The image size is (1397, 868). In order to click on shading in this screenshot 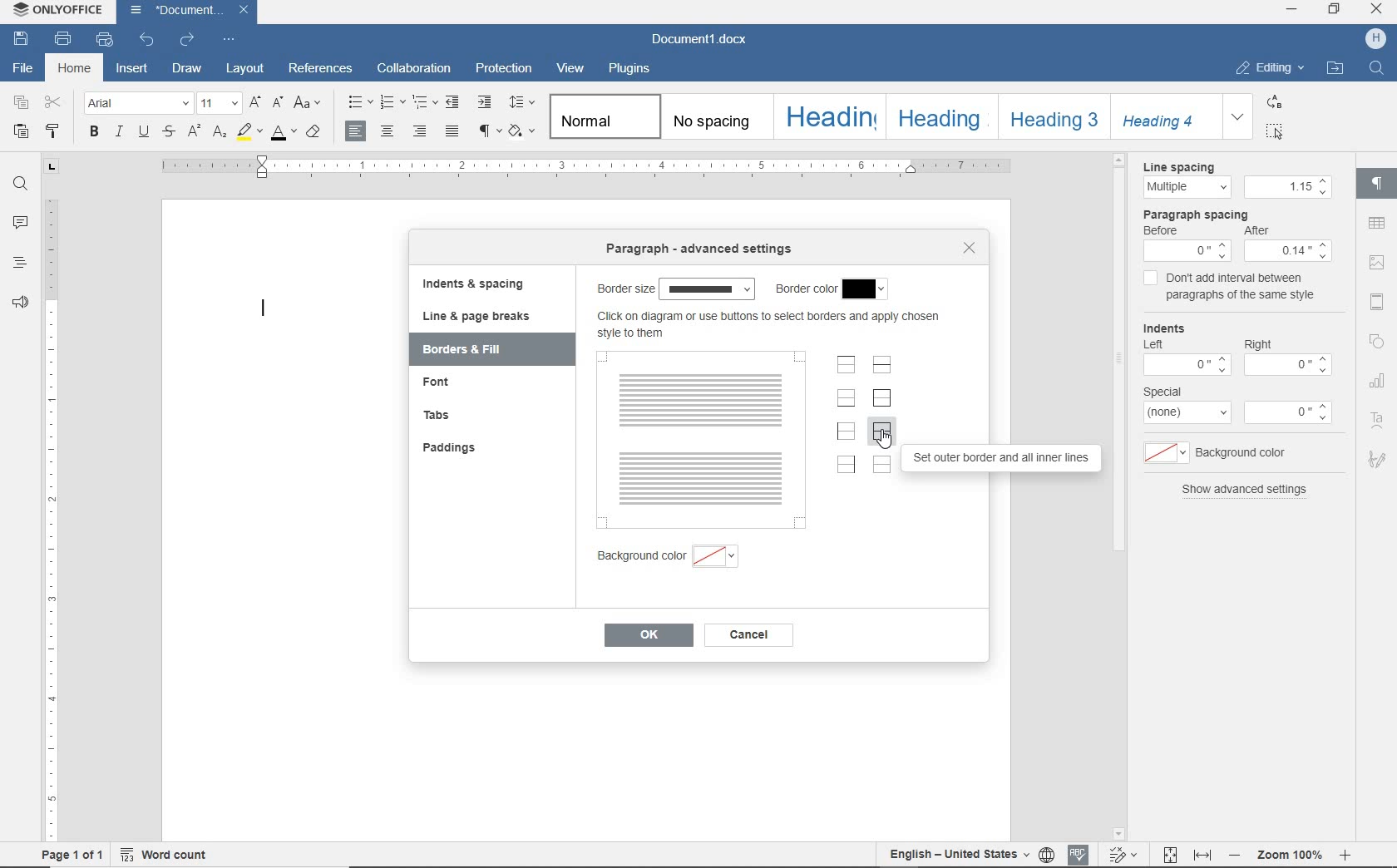, I will do `click(526, 132)`.